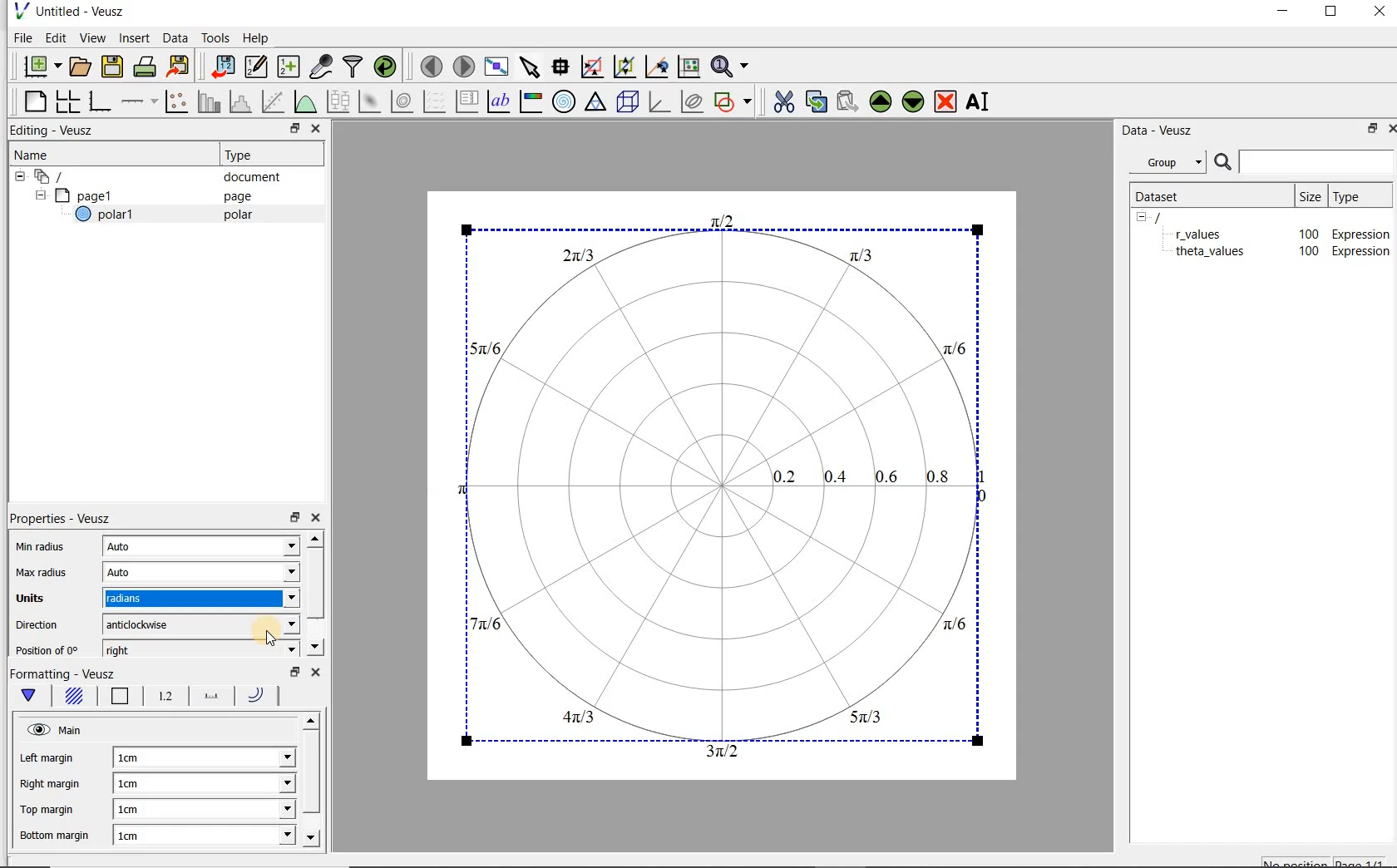  Describe the element at coordinates (135, 785) in the screenshot. I see `1cm` at that location.